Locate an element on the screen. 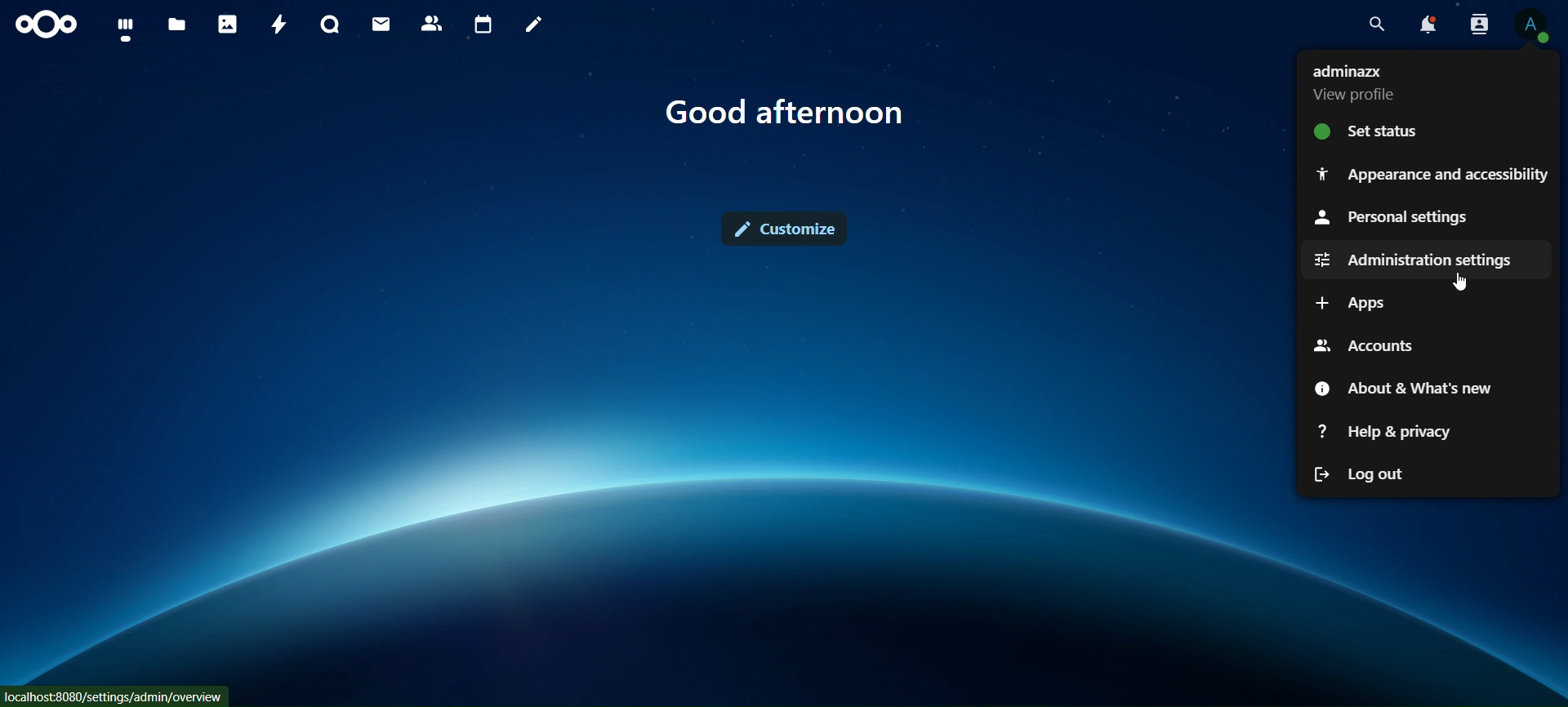 The width and height of the screenshot is (1568, 707). notes is located at coordinates (532, 26).